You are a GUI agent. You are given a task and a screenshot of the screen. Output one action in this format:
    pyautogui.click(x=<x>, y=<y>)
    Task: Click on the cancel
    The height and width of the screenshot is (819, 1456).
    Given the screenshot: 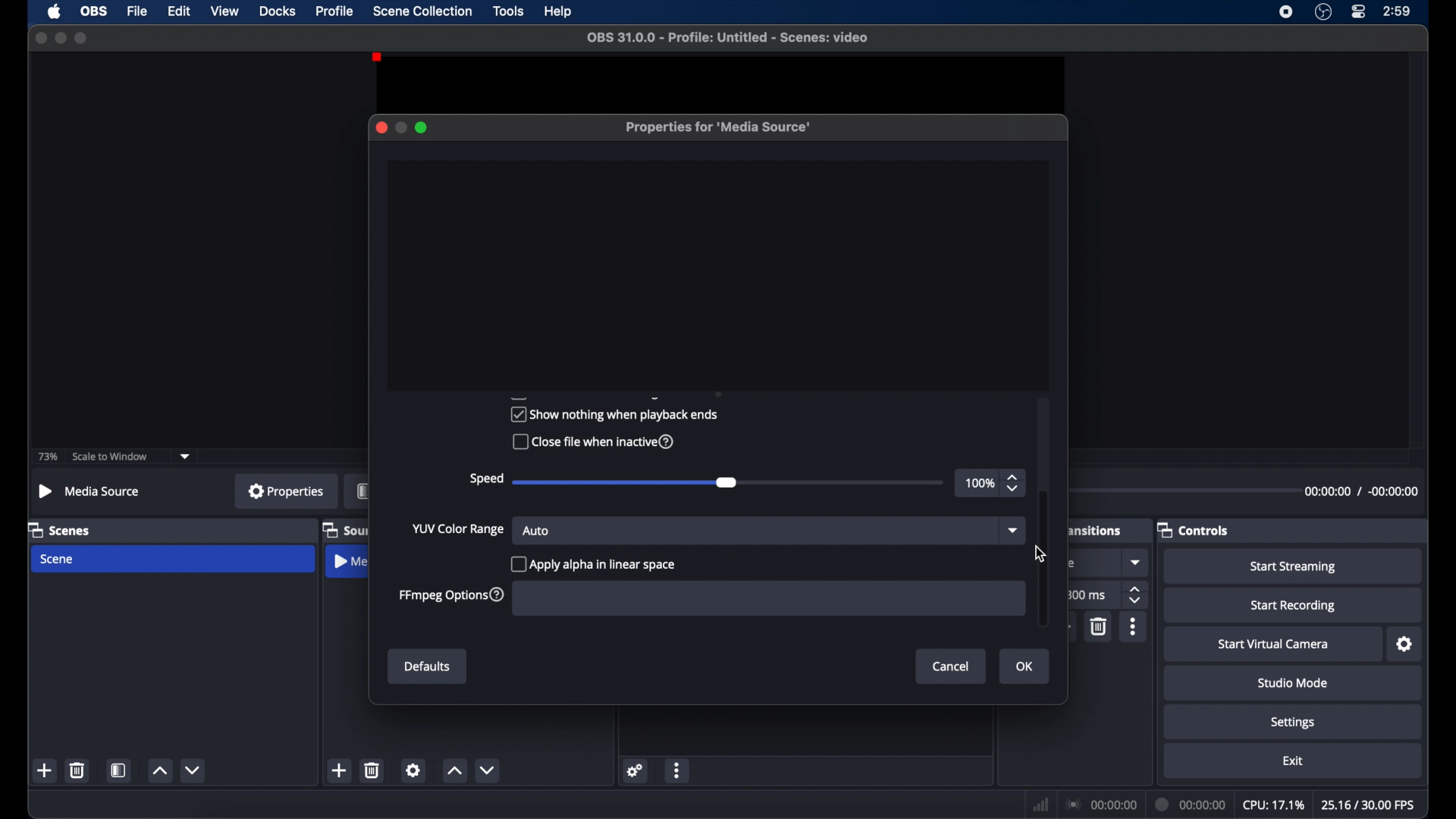 What is the action you would take?
    pyautogui.click(x=952, y=667)
    